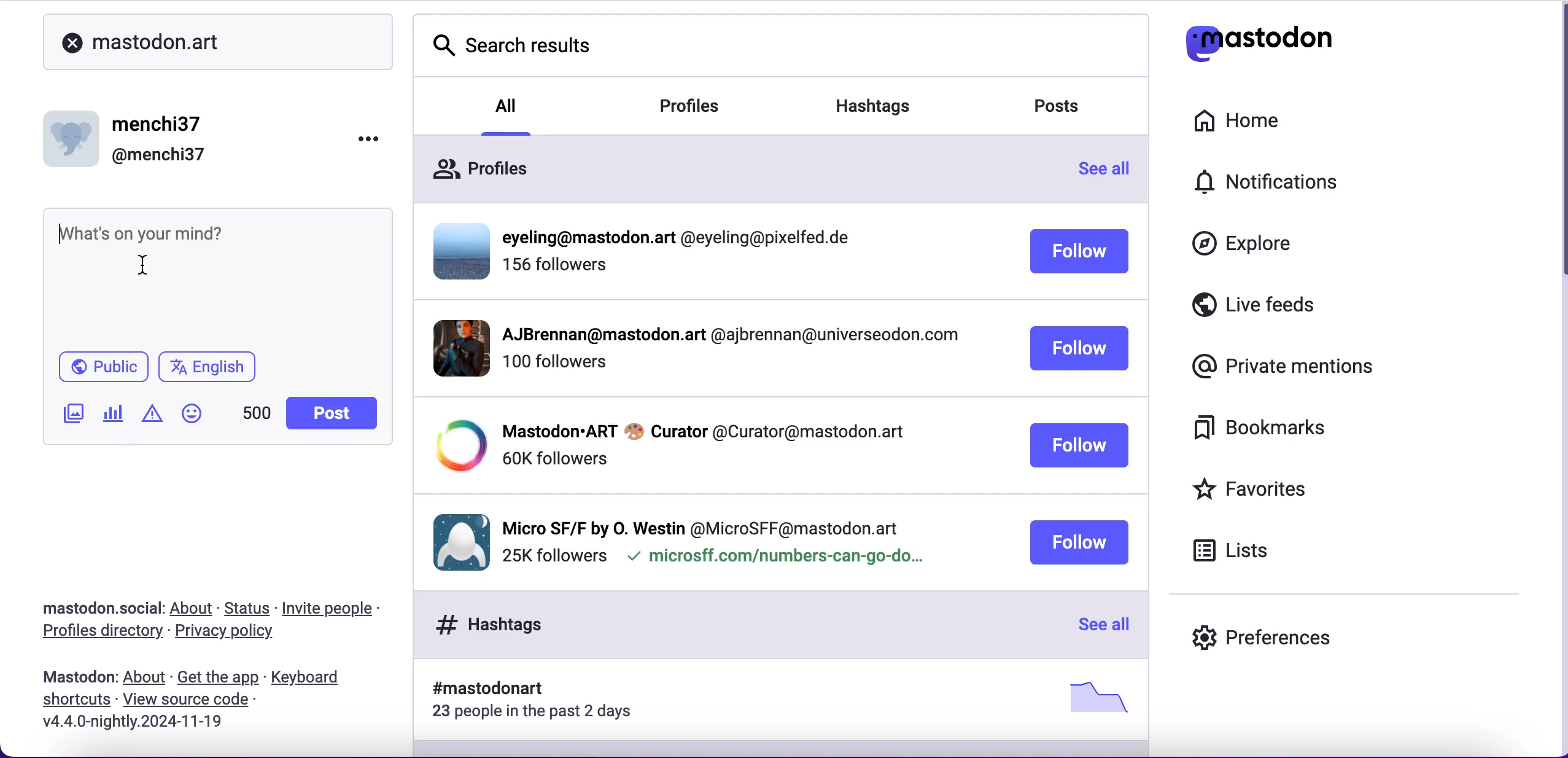 This screenshot has height=758, width=1568. What do you see at coordinates (1246, 249) in the screenshot?
I see `explore` at bounding box center [1246, 249].